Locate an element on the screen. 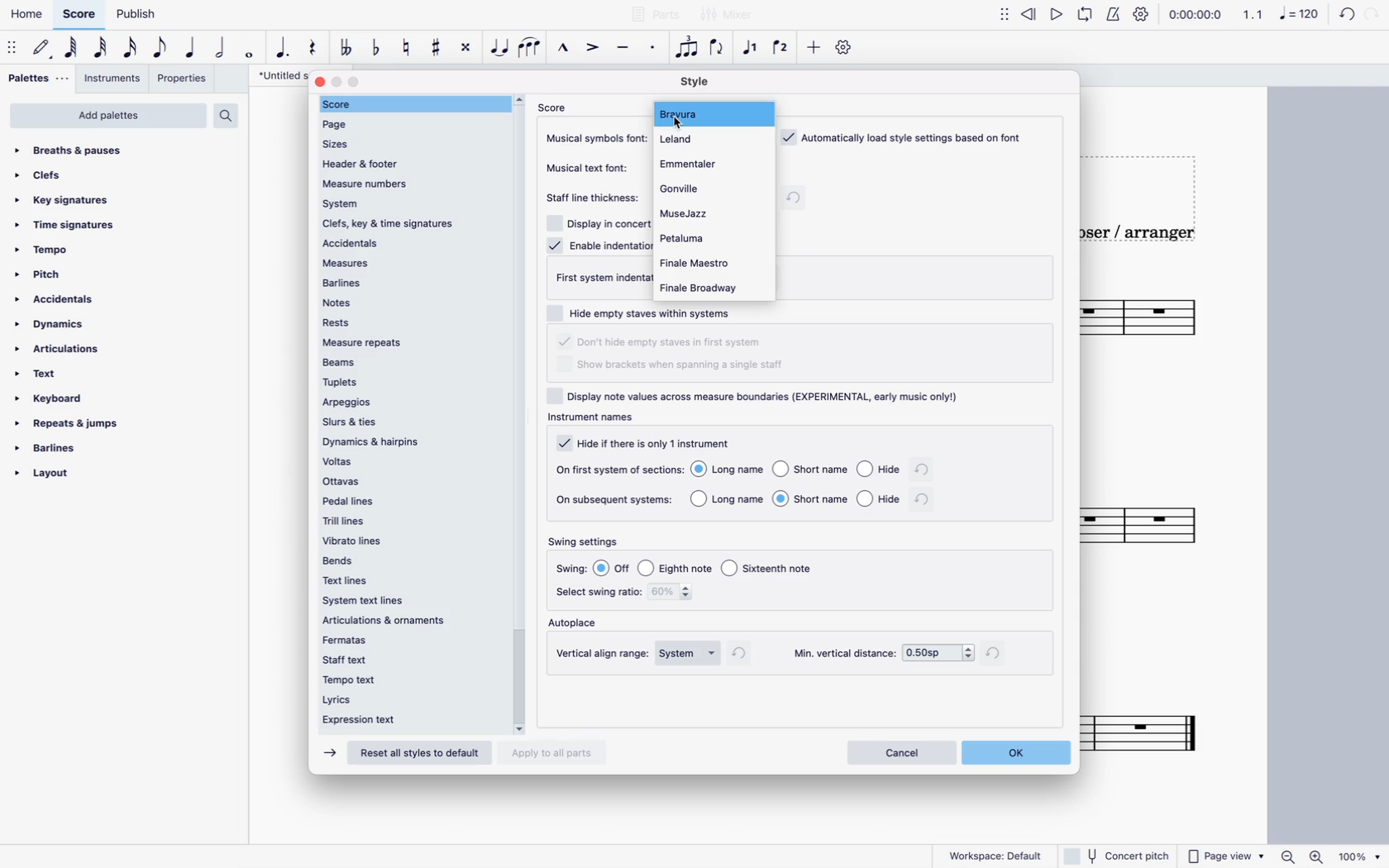 This screenshot has height=868, width=1389. load style based on font is located at coordinates (909, 136).